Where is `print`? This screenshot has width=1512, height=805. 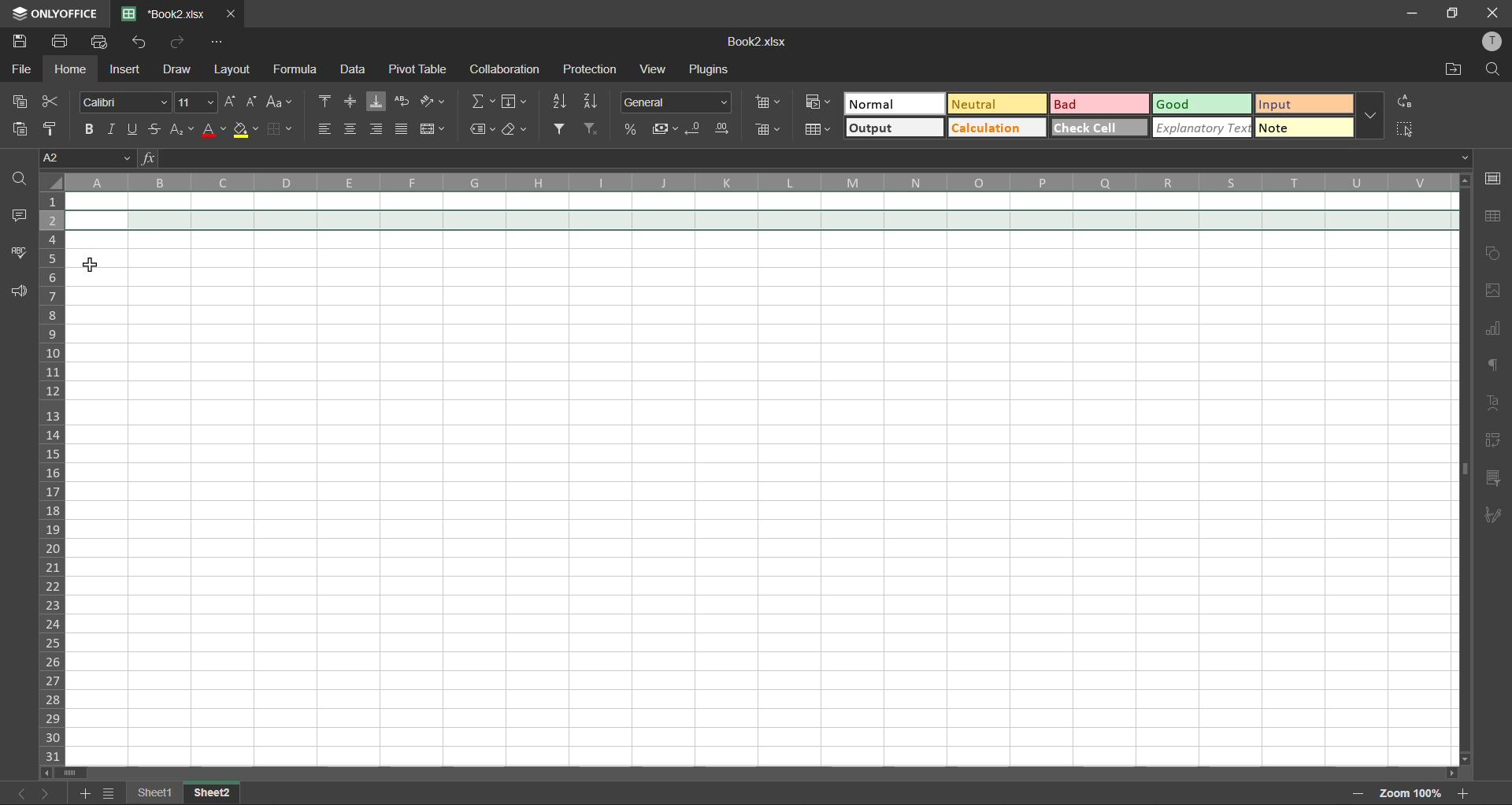 print is located at coordinates (65, 42).